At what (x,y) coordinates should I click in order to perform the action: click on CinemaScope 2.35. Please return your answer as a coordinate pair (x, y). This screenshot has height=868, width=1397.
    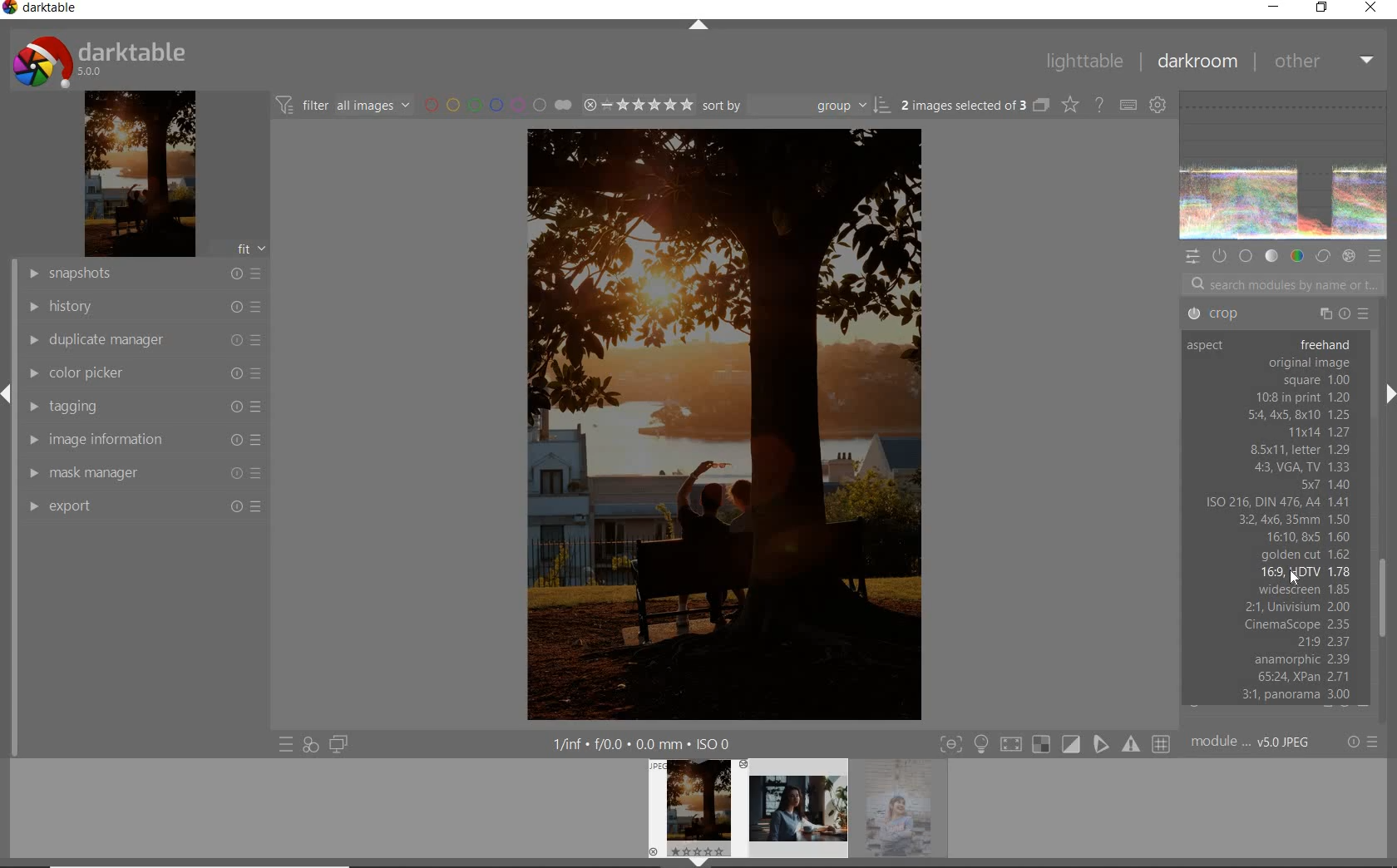
    Looking at the image, I should click on (1298, 624).